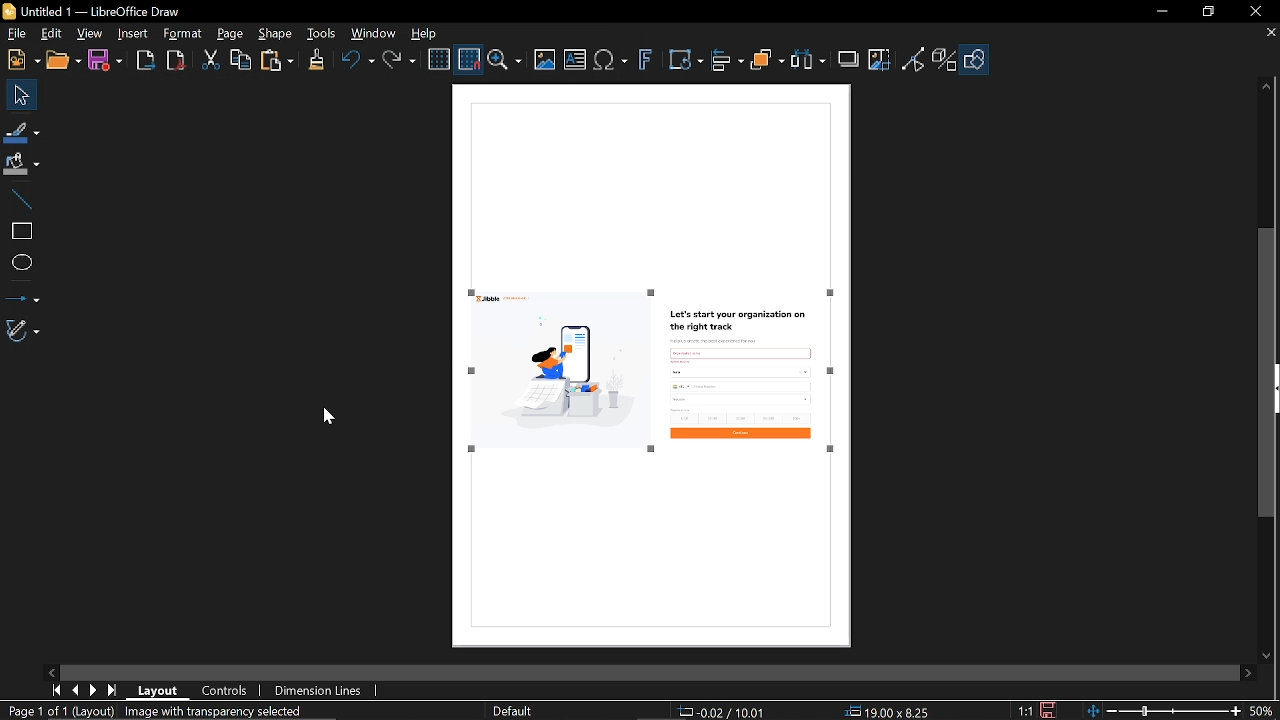 The width and height of the screenshot is (1280, 720). Describe the element at coordinates (107, 62) in the screenshot. I see `Save` at that location.